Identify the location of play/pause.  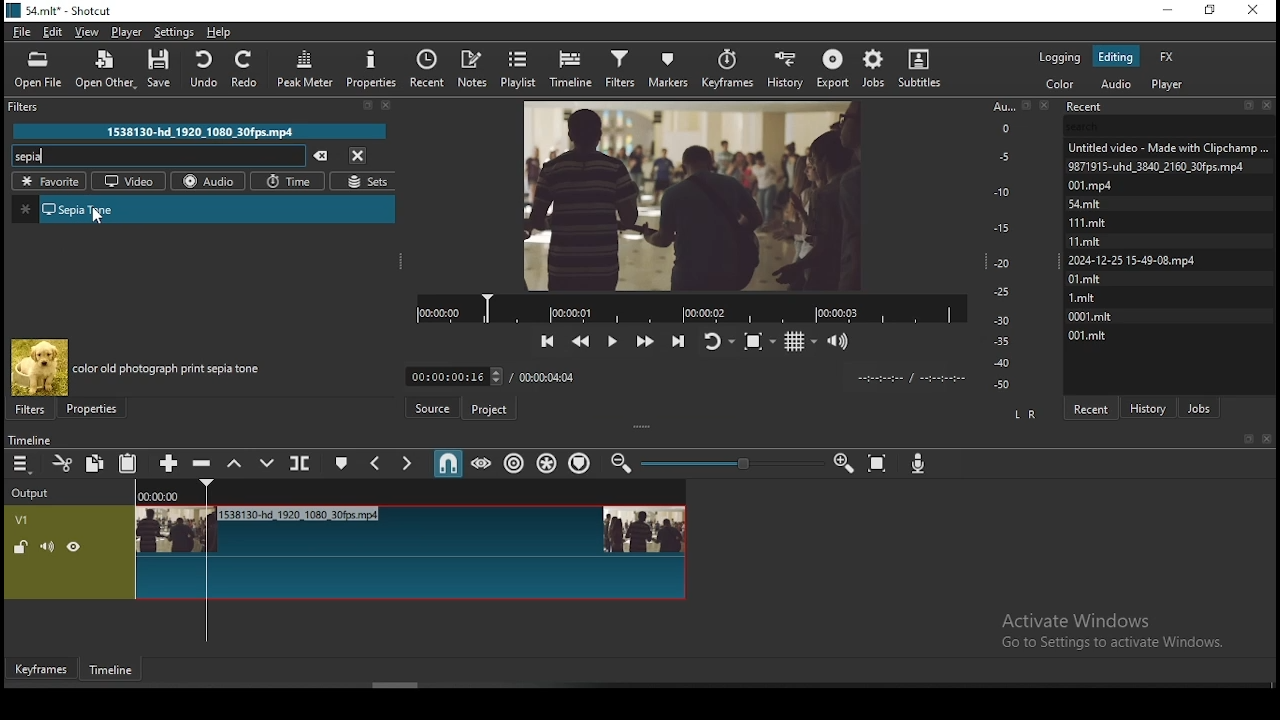
(614, 335).